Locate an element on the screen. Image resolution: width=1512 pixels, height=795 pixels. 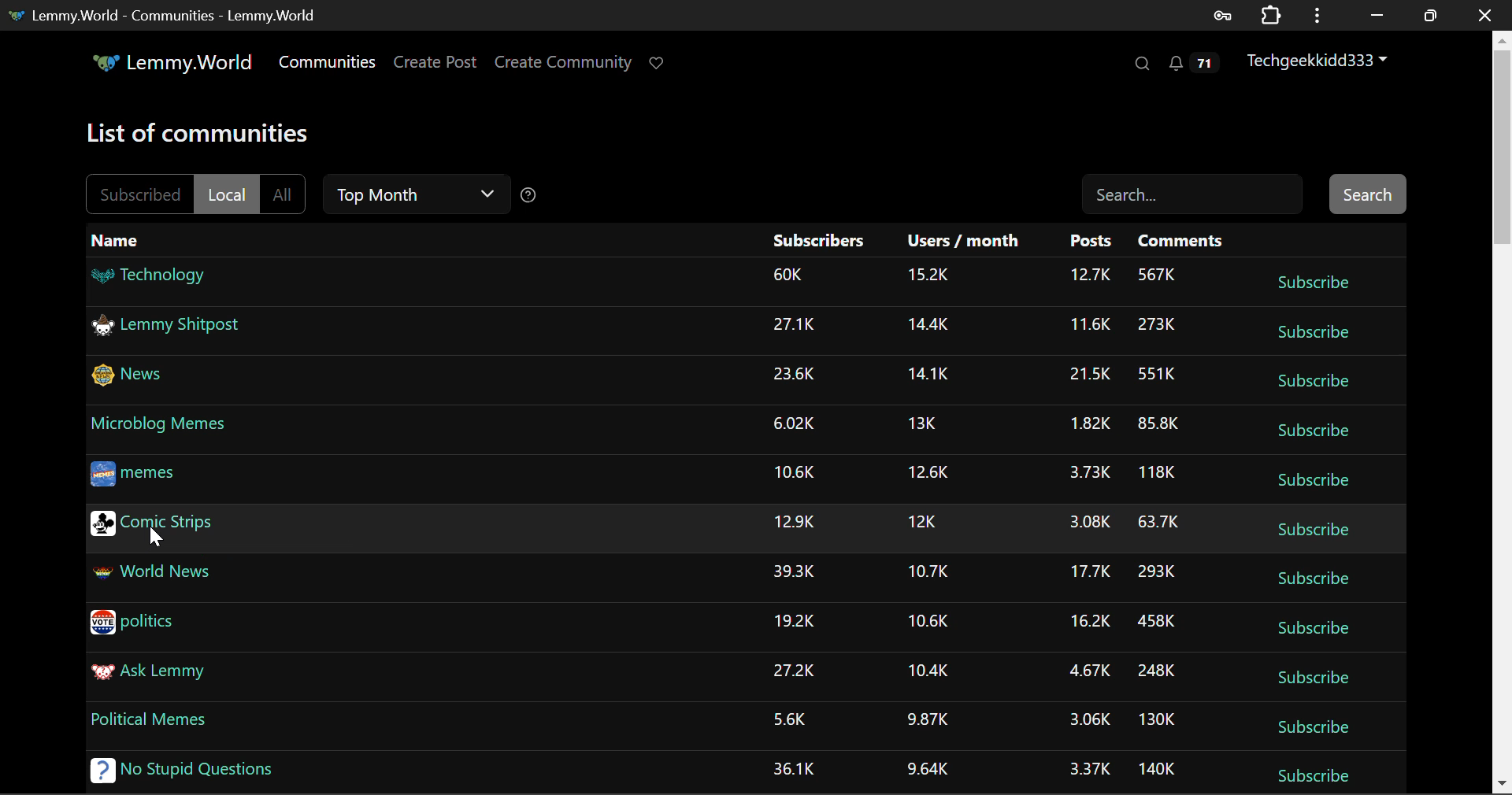
273K is located at coordinates (1158, 325).